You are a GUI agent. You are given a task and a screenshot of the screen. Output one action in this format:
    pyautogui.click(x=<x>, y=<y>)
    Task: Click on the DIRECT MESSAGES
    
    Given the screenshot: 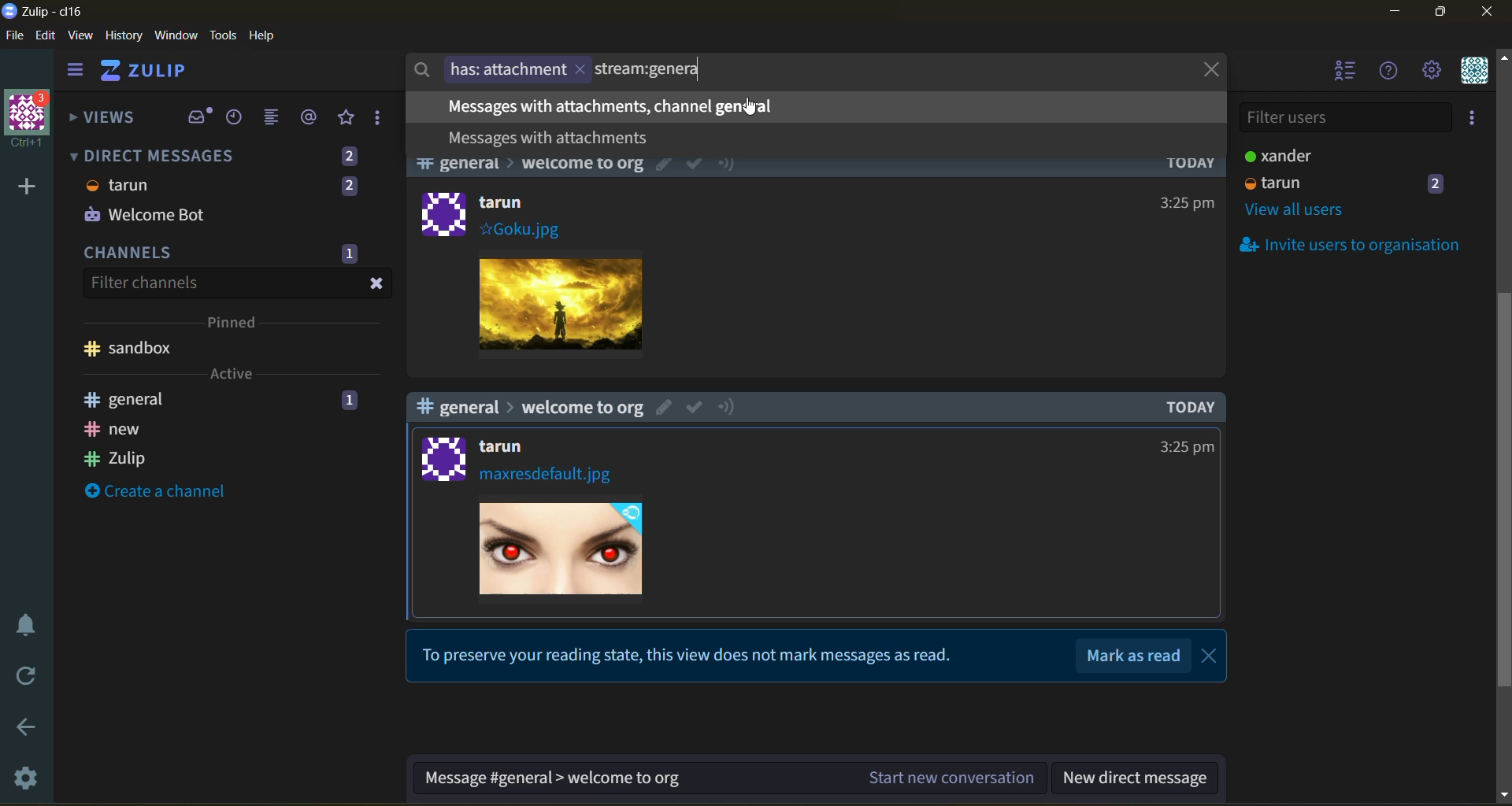 What is the action you would take?
    pyautogui.click(x=151, y=156)
    